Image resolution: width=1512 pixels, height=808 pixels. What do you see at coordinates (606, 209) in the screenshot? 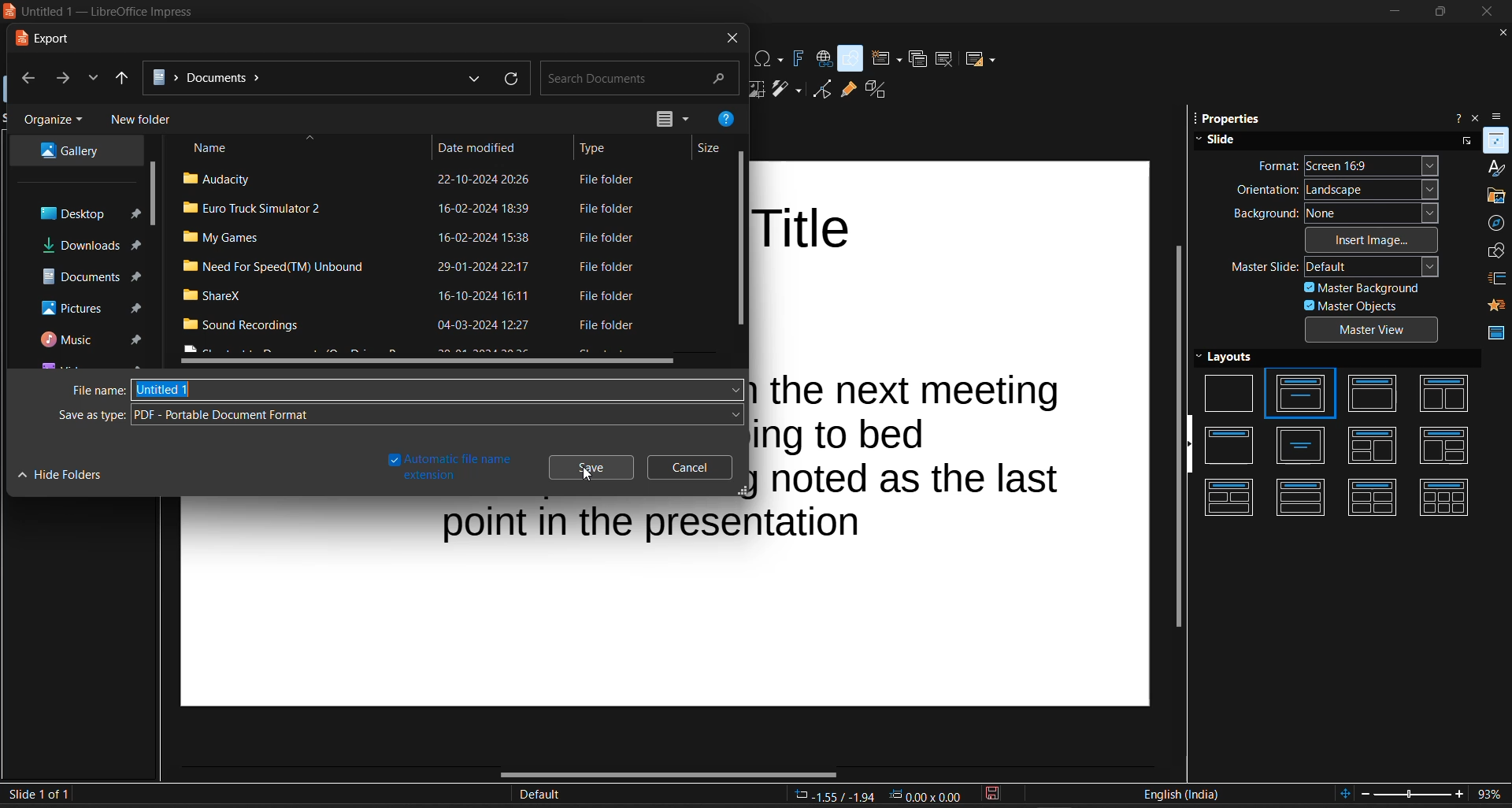
I see `File folder` at bounding box center [606, 209].